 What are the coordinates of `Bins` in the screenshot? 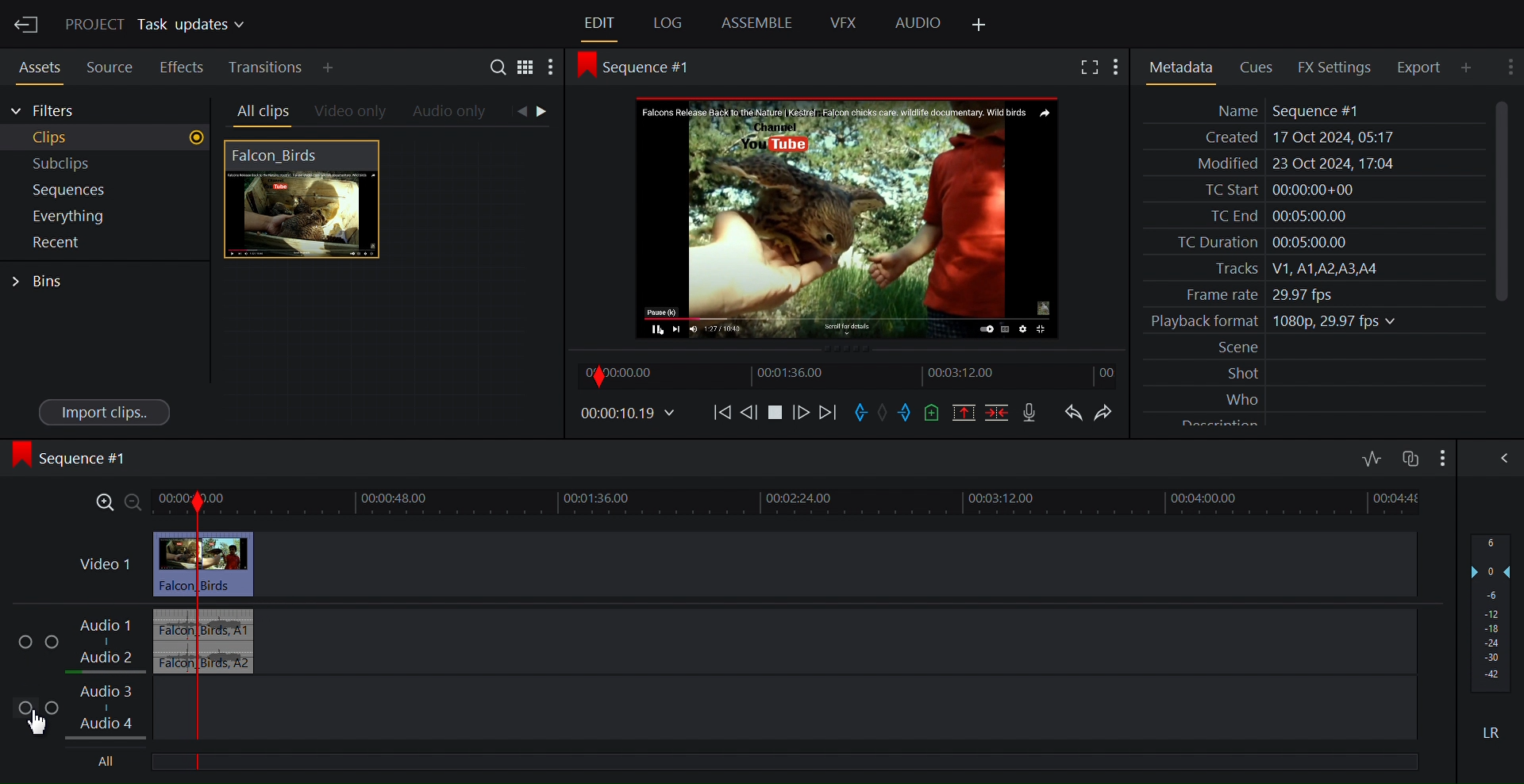 It's located at (39, 282).